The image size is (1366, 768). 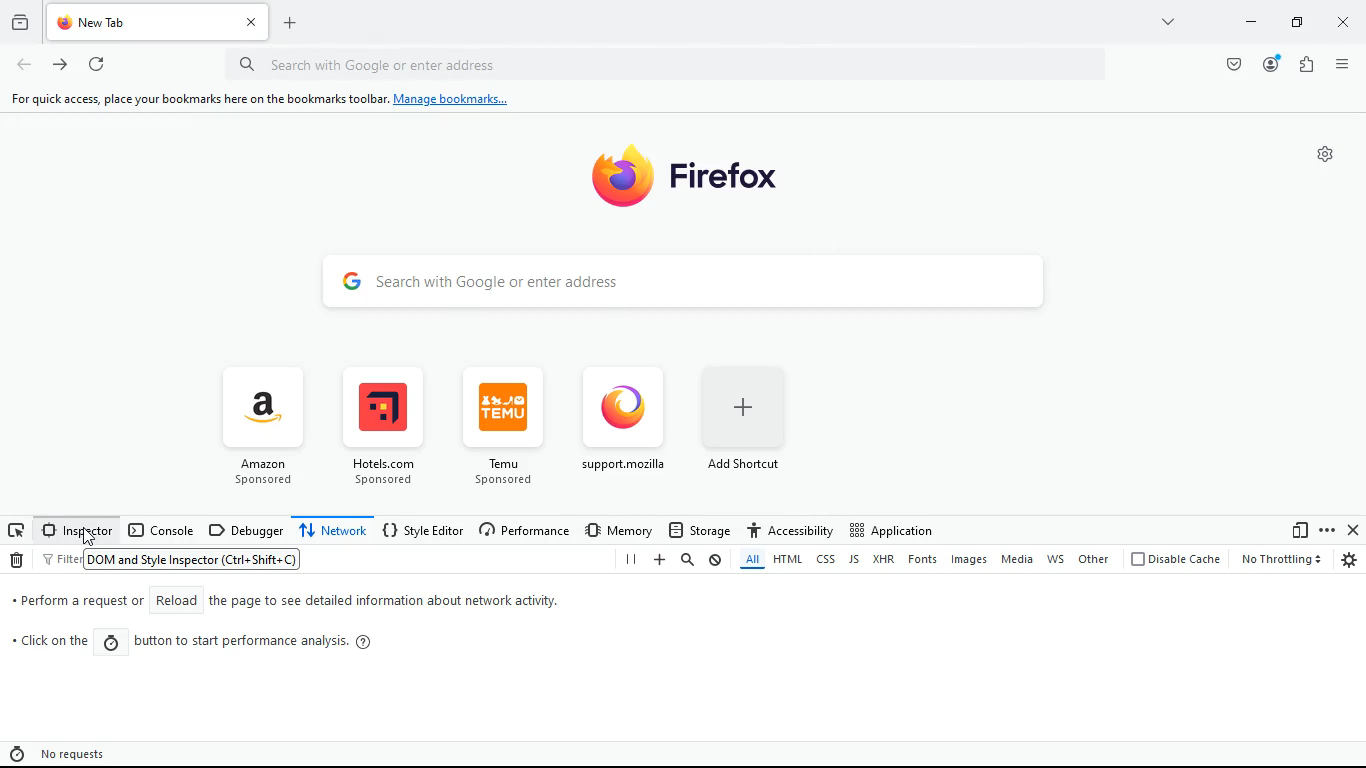 What do you see at coordinates (195, 99) in the screenshot?
I see `For quick access, place your bookmarks here on the bookmarks toolbar` at bounding box center [195, 99].